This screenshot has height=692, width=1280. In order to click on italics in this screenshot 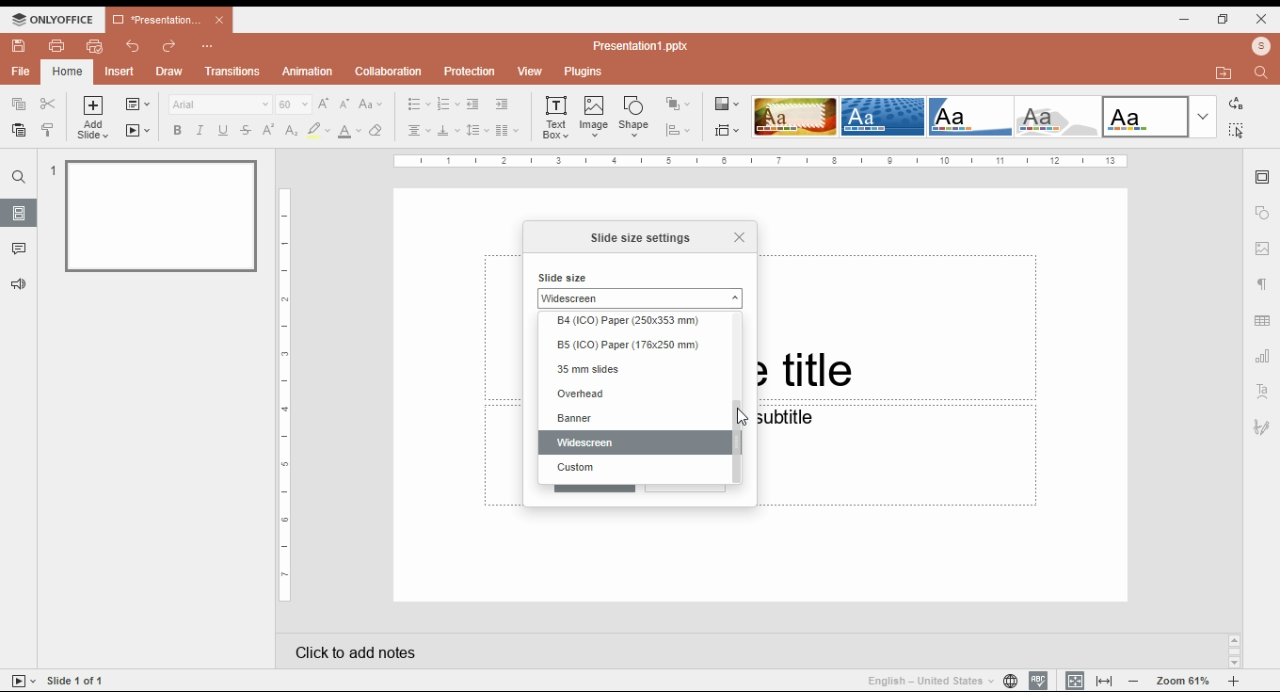, I will do `click(198, 130)`.